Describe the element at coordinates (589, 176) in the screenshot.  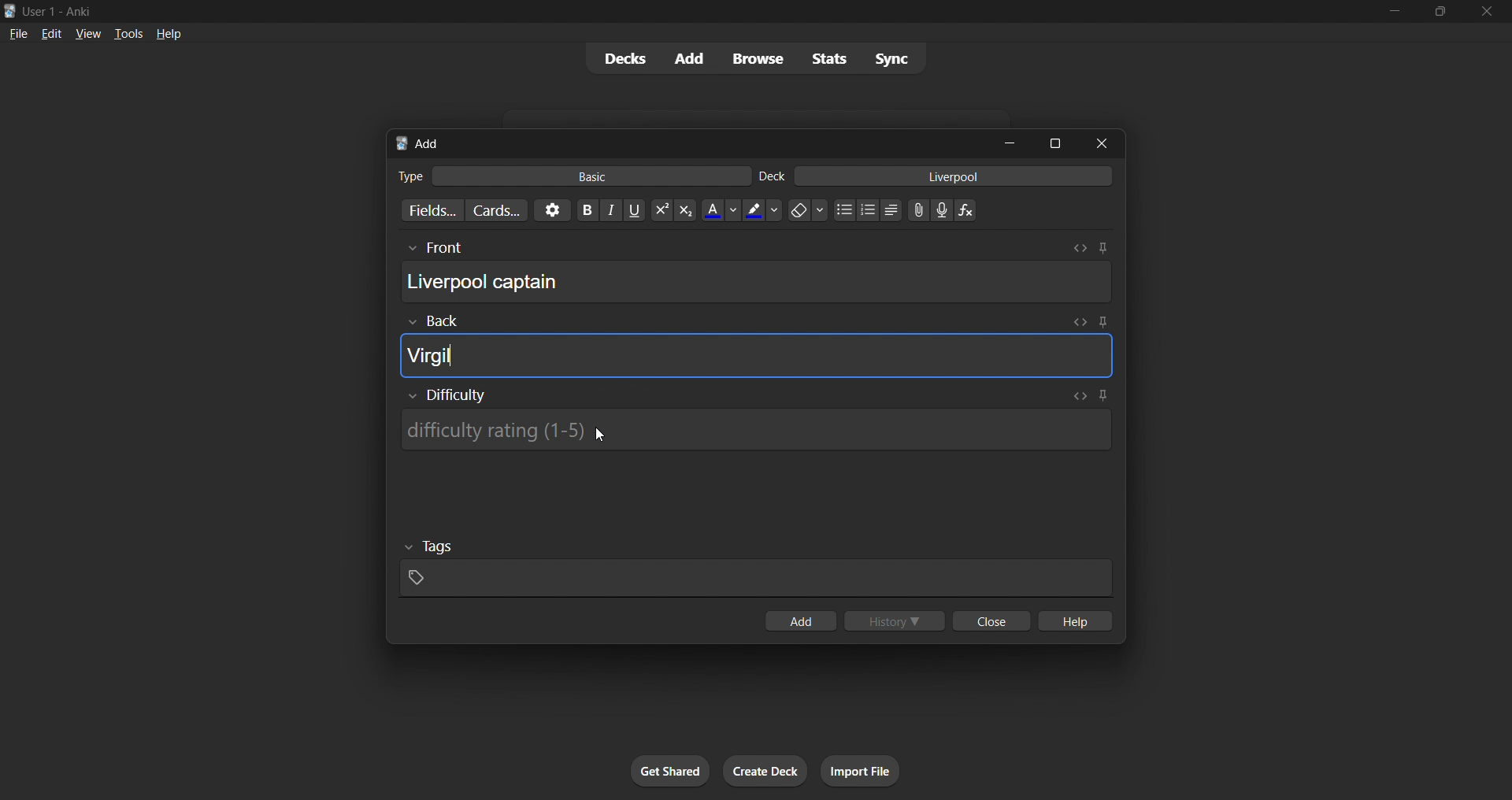
I see `basic card type` at that location.